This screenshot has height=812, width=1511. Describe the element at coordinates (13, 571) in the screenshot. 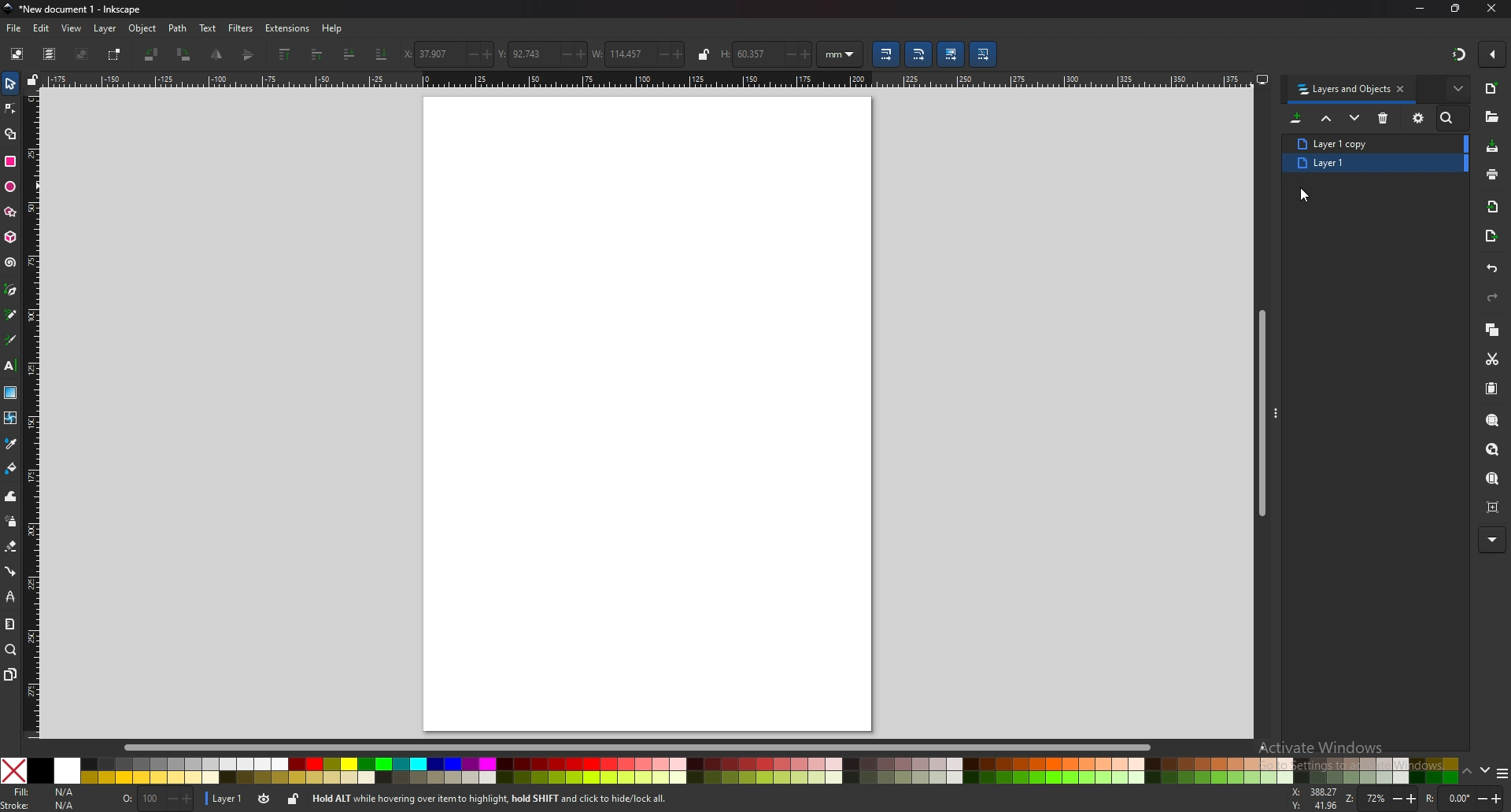

I see `connector` at that location.